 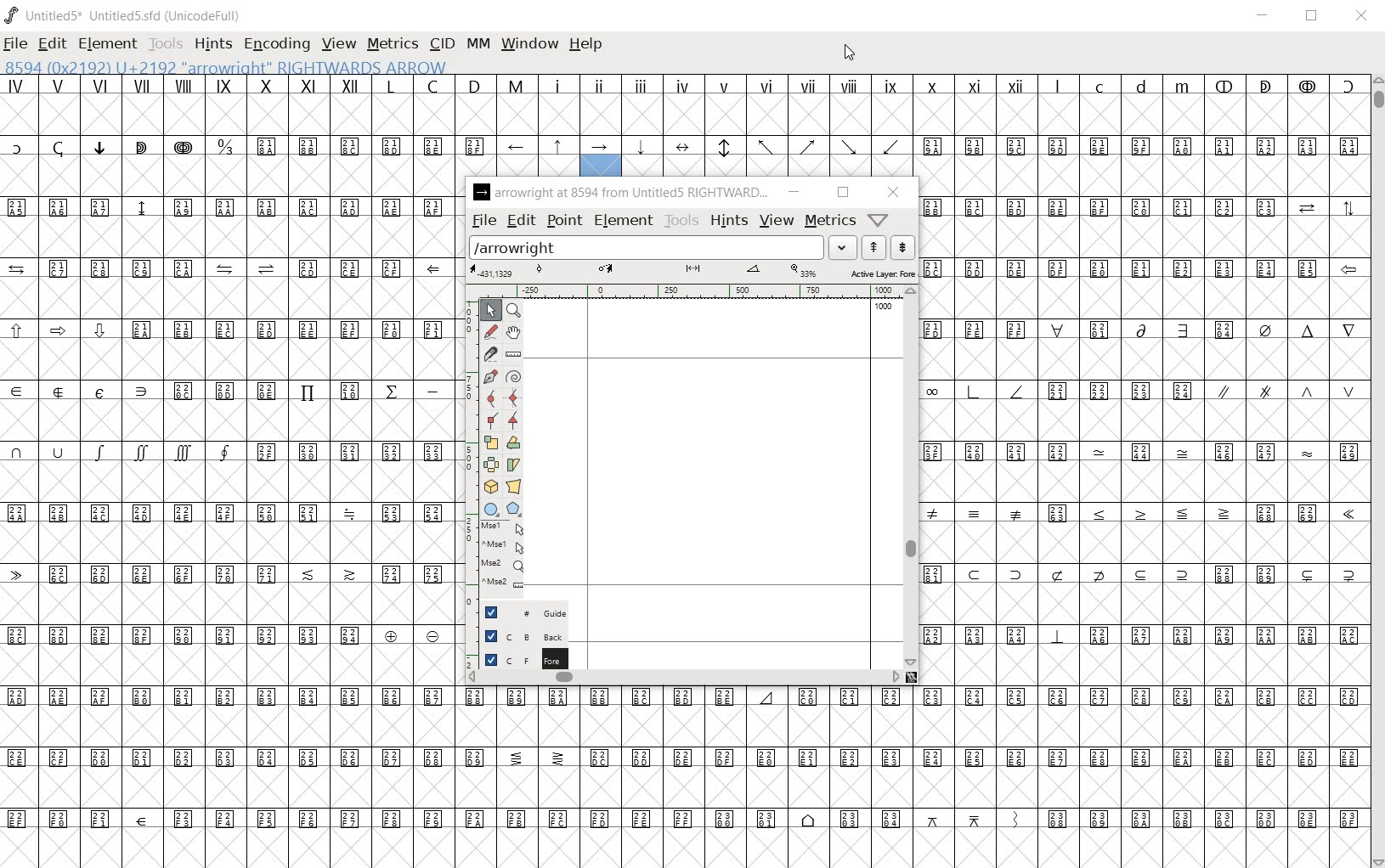 What do you see at coordinates (489, 352) in the screenshot?
I see `cut splines in two` at bounding box center [489, 352].